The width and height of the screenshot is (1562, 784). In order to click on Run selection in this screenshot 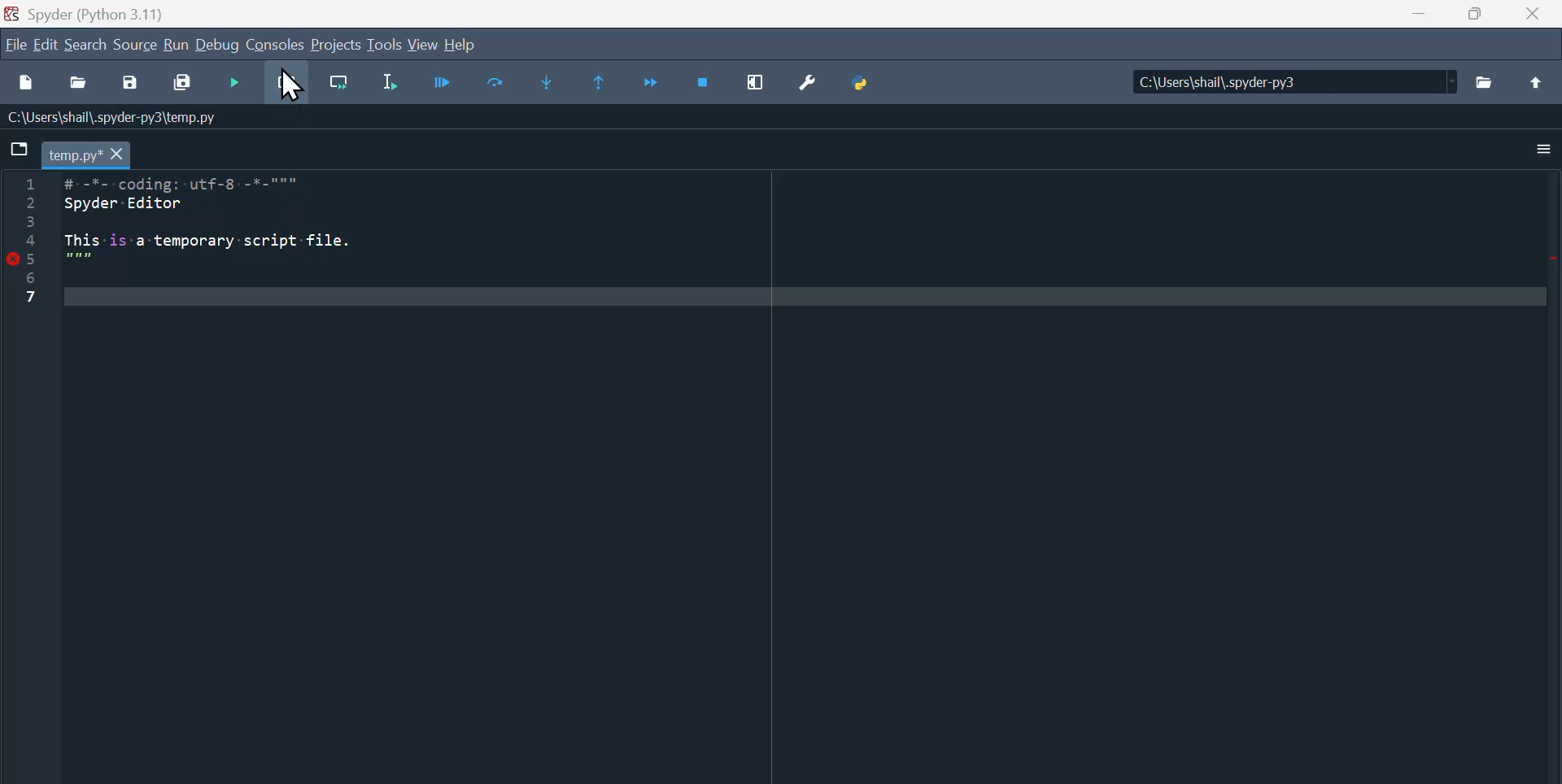, I will do `click(391, 84)`.